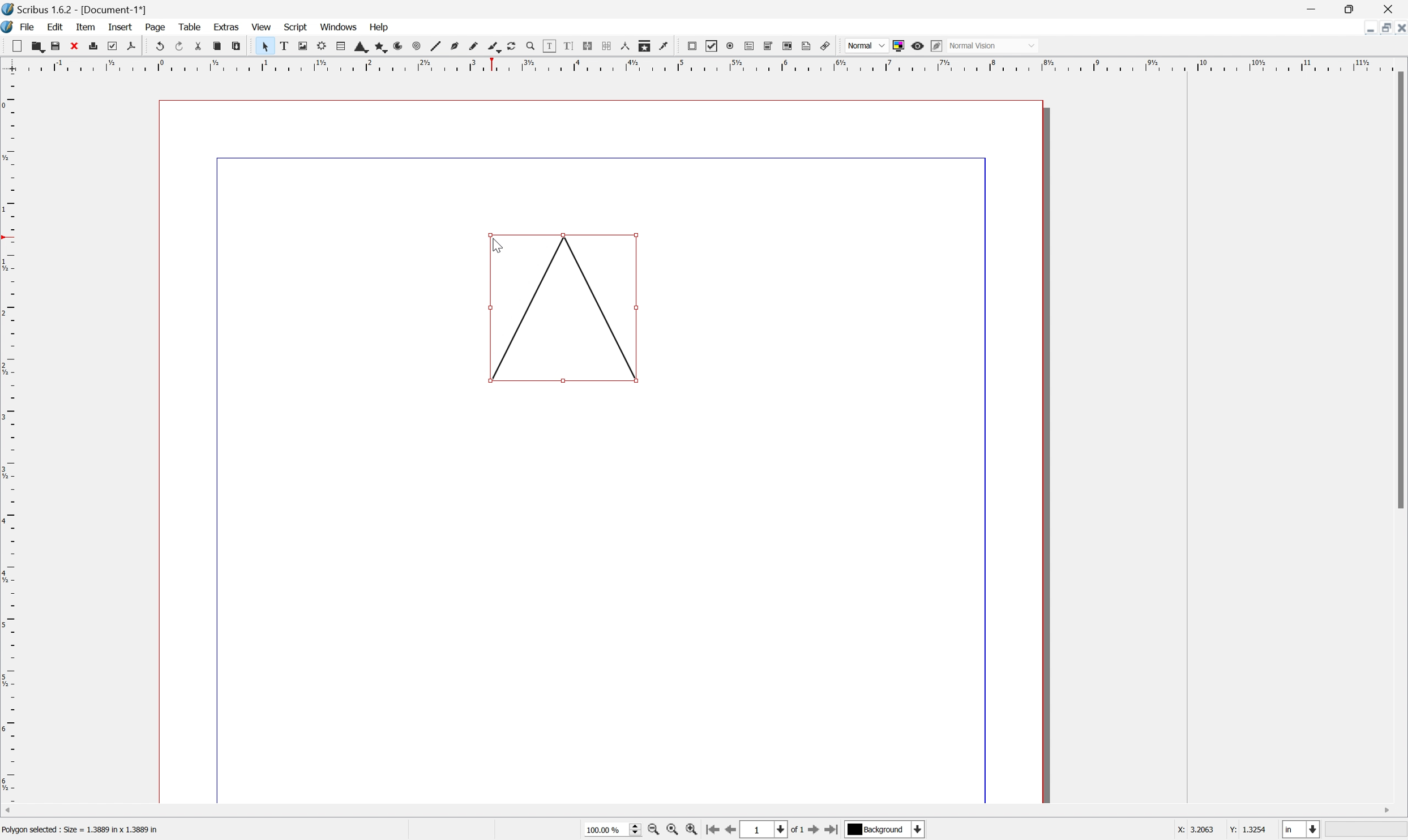  What do you see at coordinates (625, 47) in the screenshot?
I see `Measurements` at bounding box center [625, 47].